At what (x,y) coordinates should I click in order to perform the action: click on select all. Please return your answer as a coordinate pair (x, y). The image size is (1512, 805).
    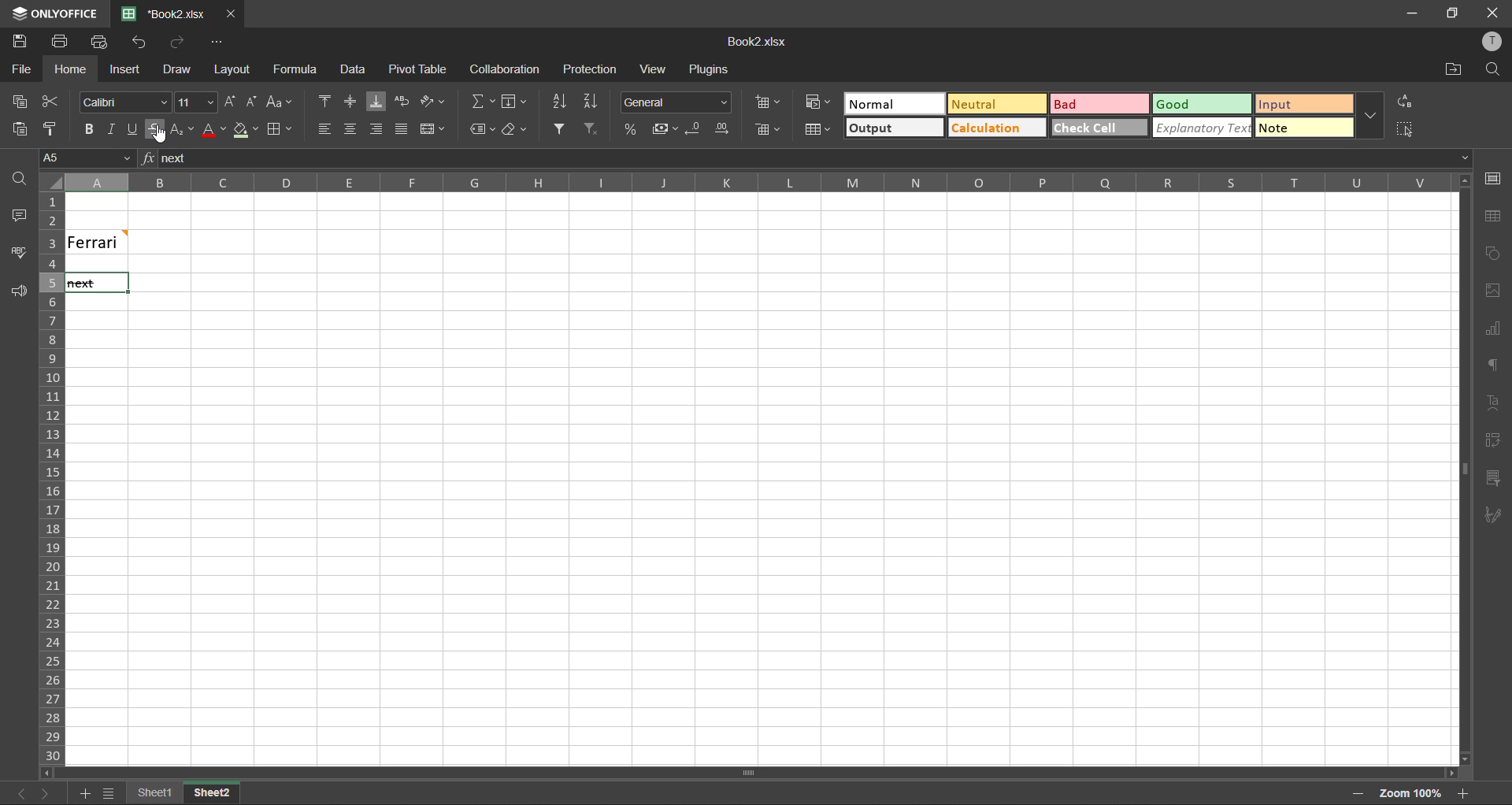
    Looking at the image, I should click on (1410, 128).